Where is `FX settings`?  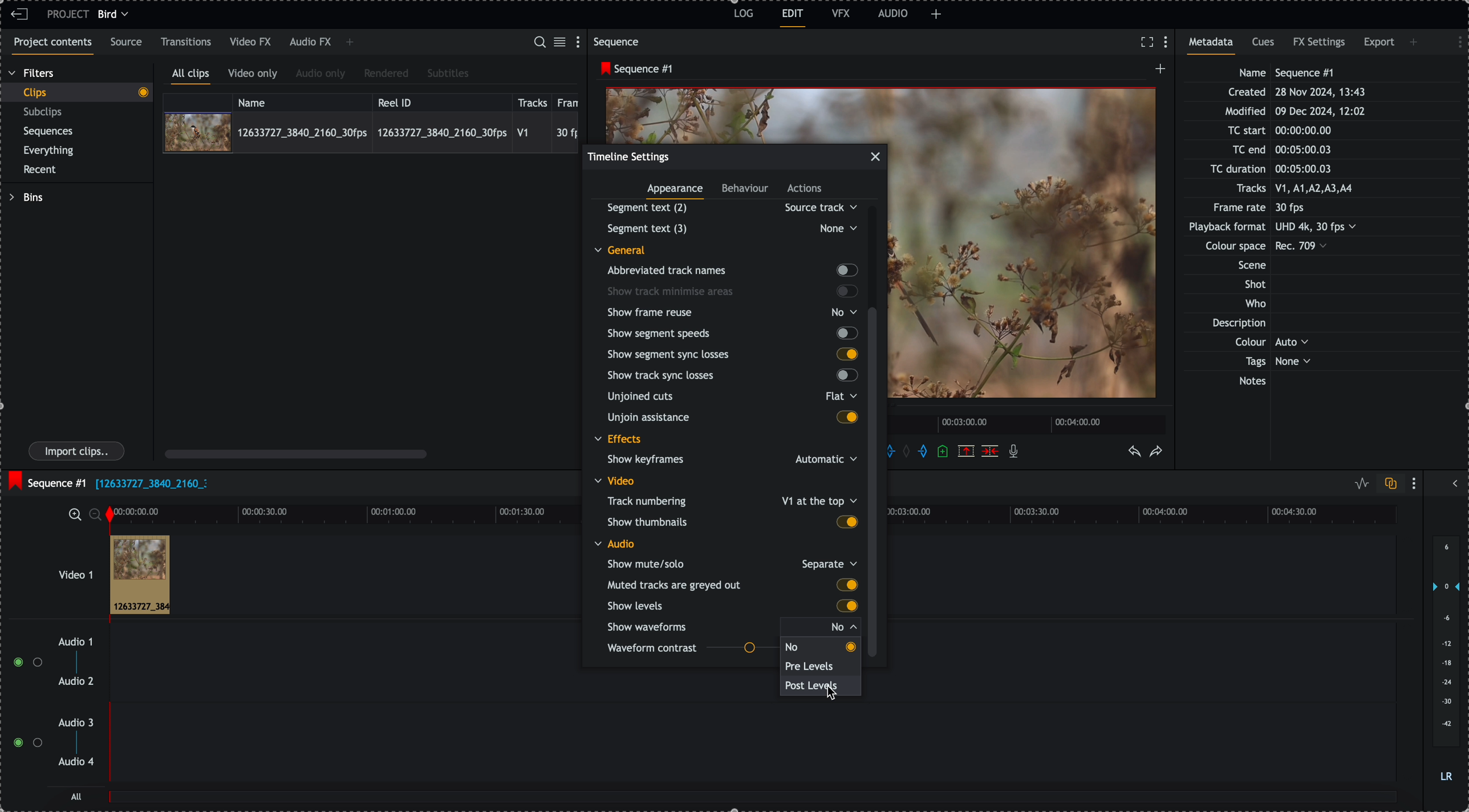
FX settings is located at coordinates (1320, 44).